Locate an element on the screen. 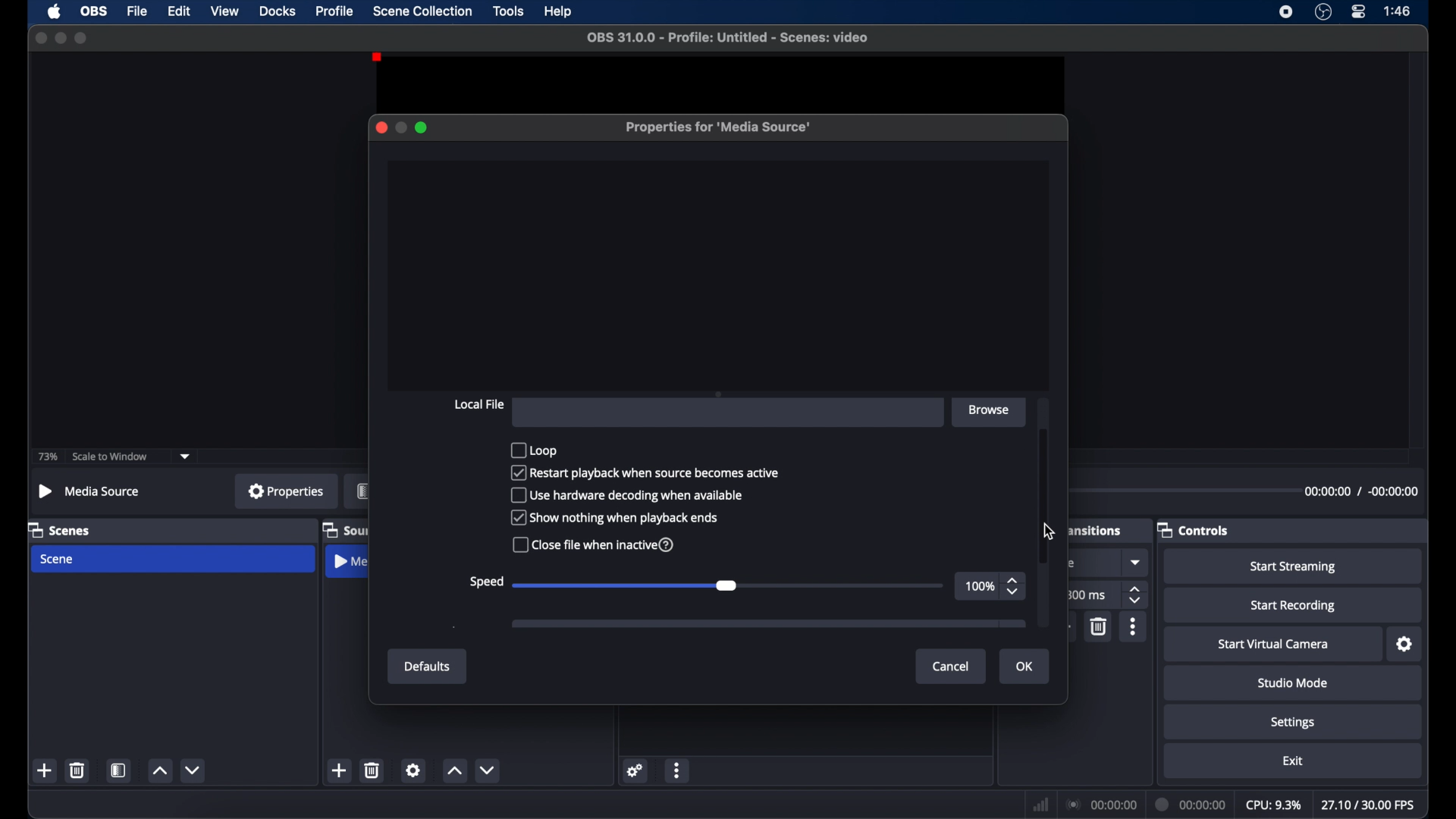  minimize is located at coordinates (400, 127).